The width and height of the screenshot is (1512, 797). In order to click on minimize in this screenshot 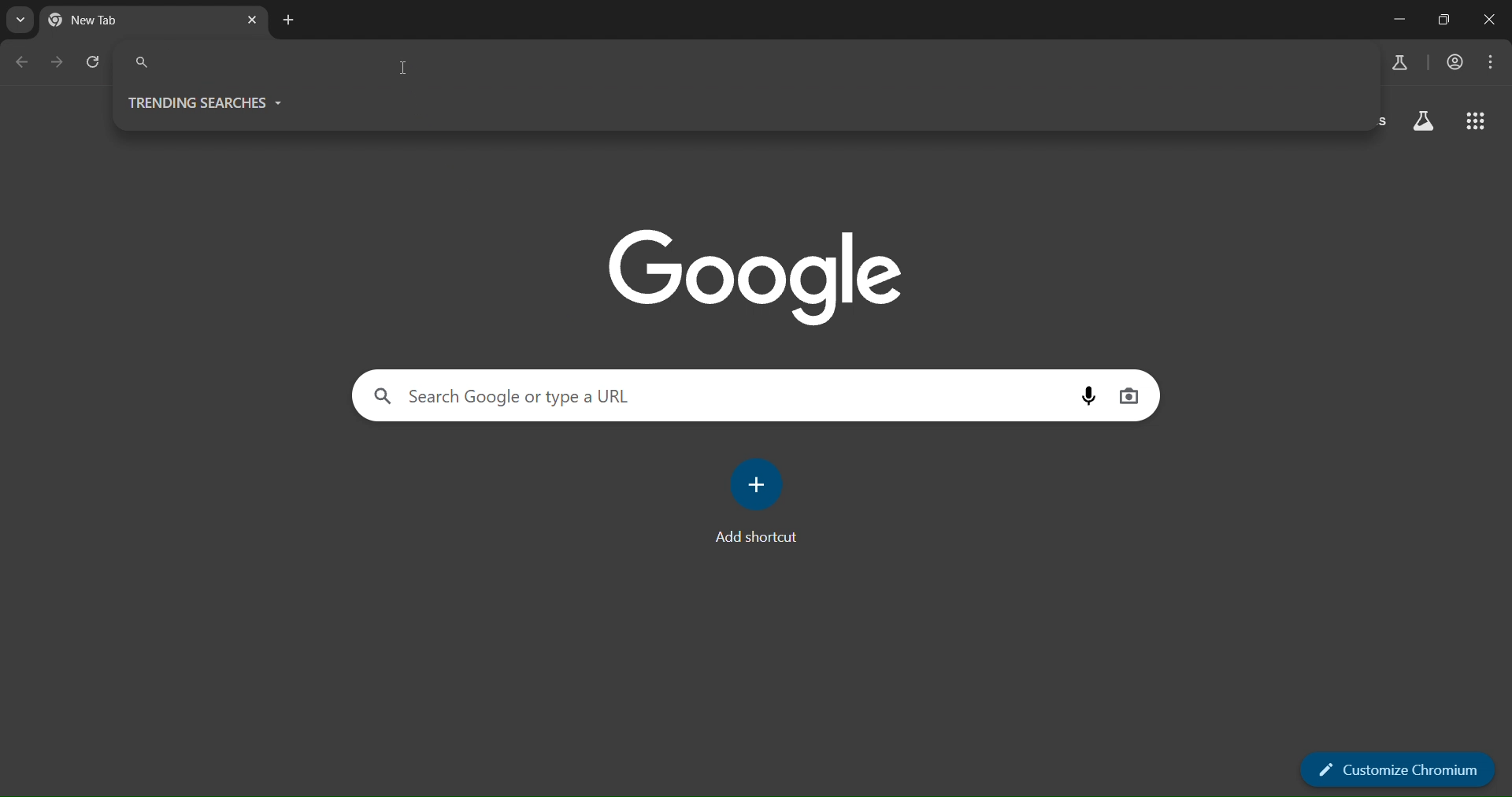, I will do `click(1403, 19)`.